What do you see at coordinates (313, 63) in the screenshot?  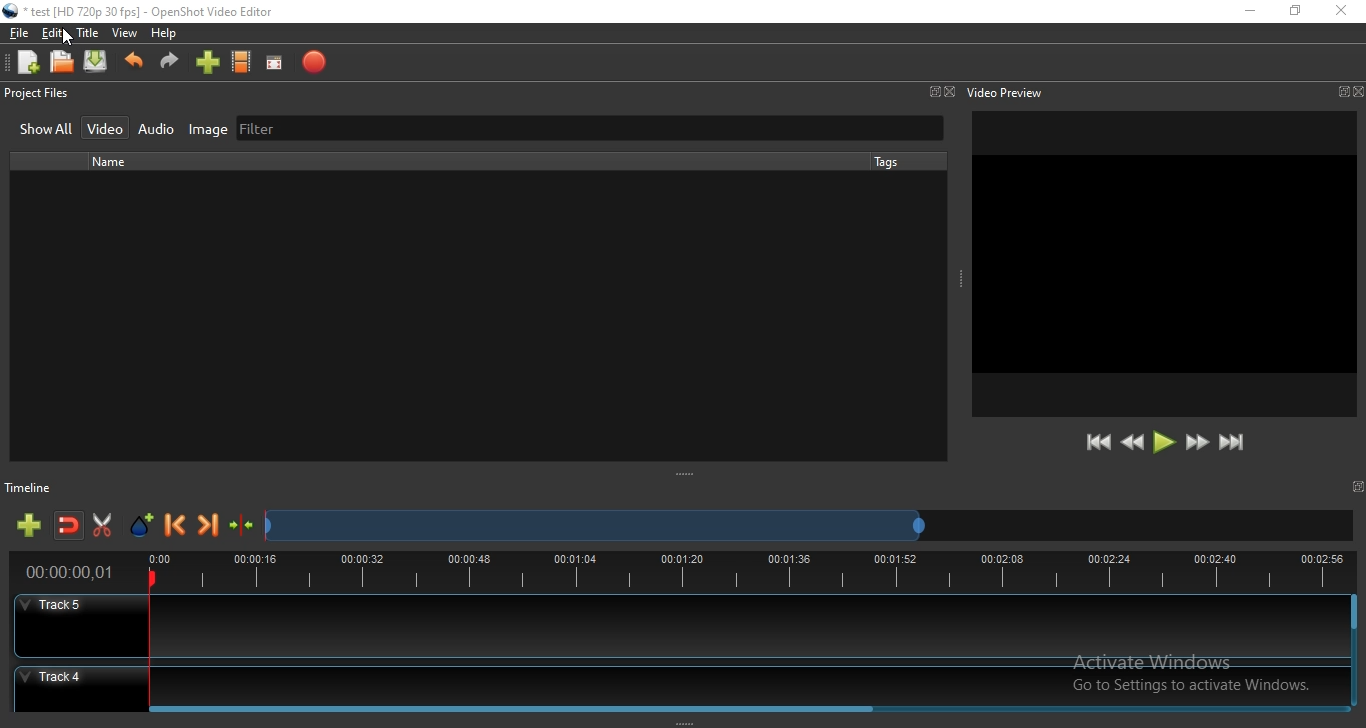 I see `Export video` at bounding box center [313, 63].